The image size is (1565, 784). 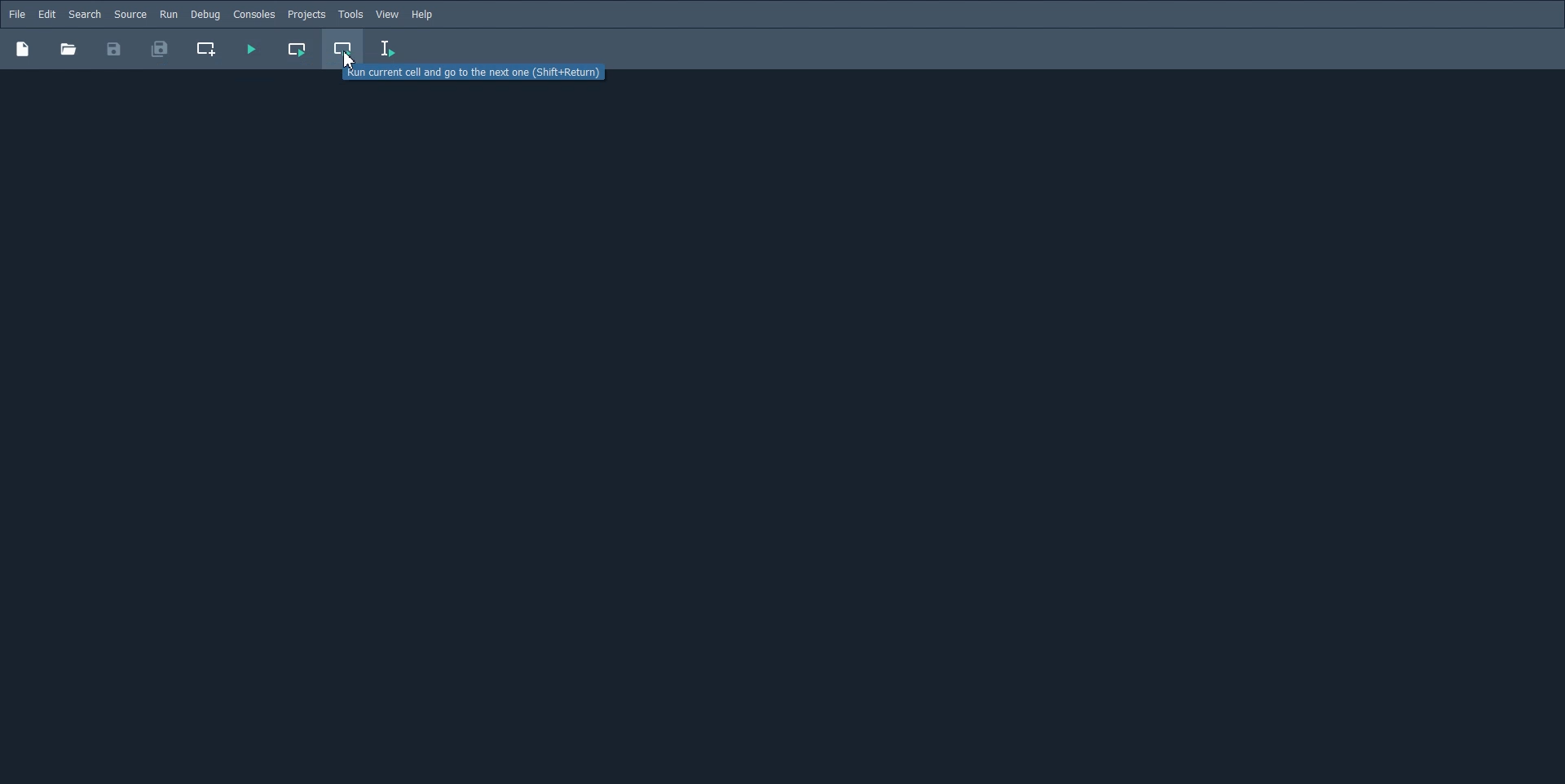 I want to click on Projects, so click(x=306, y=15).